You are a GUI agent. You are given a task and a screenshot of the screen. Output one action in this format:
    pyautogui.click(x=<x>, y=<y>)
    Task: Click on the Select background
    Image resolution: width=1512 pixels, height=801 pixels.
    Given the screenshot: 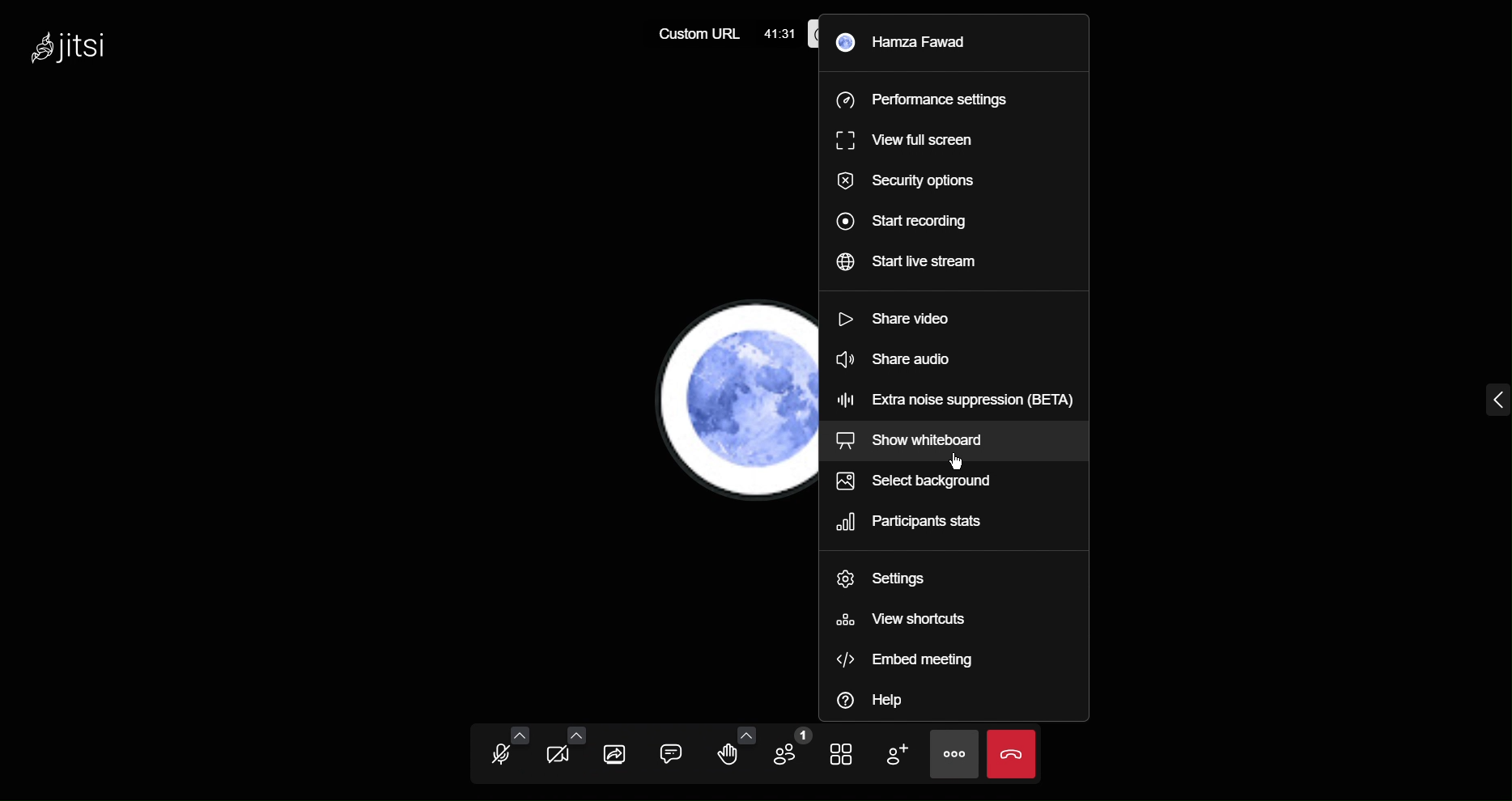 What is the action you would take?
    pyautogui.click(x=926, y=485)
    